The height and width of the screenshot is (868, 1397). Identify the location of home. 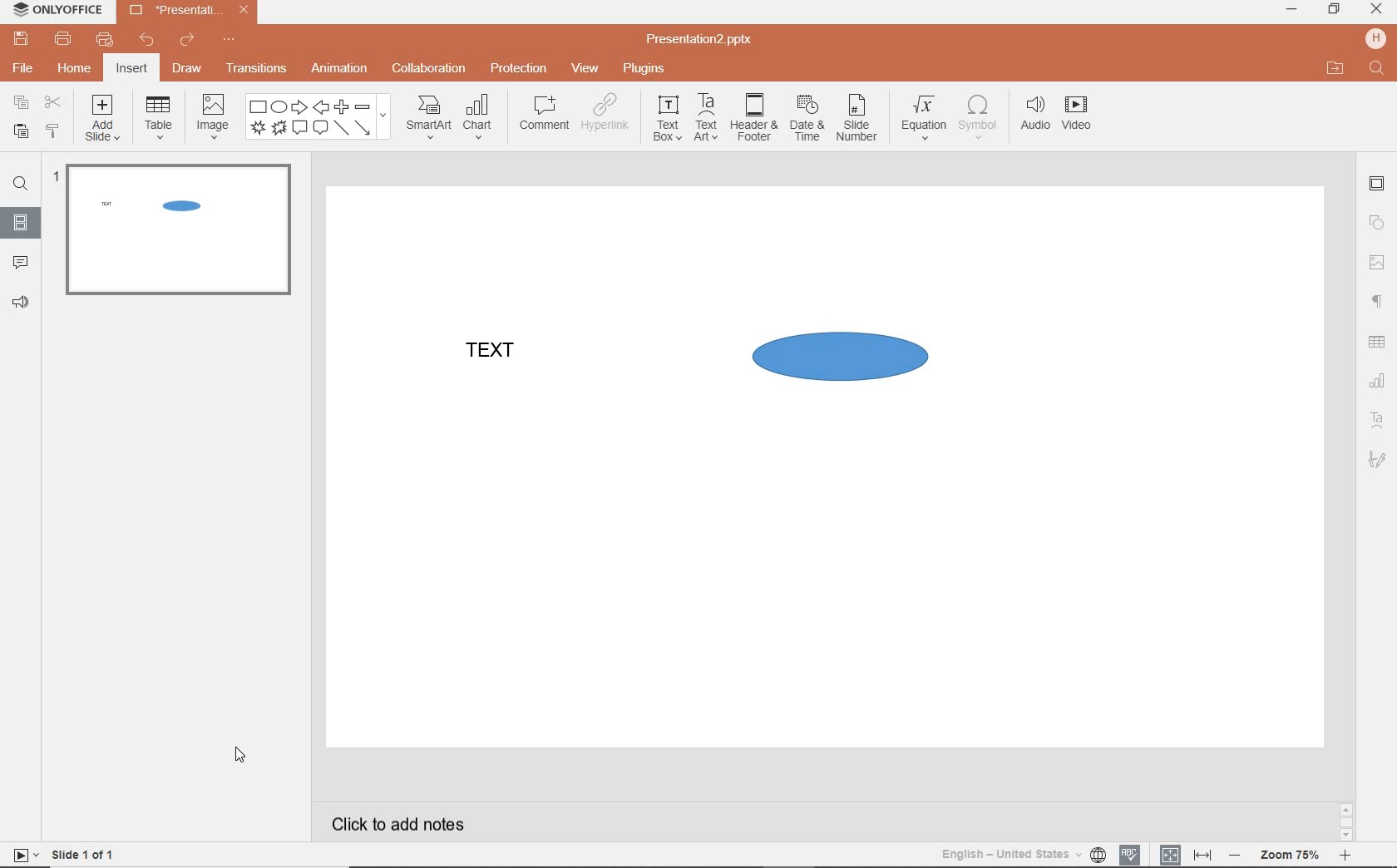
(76, 69).